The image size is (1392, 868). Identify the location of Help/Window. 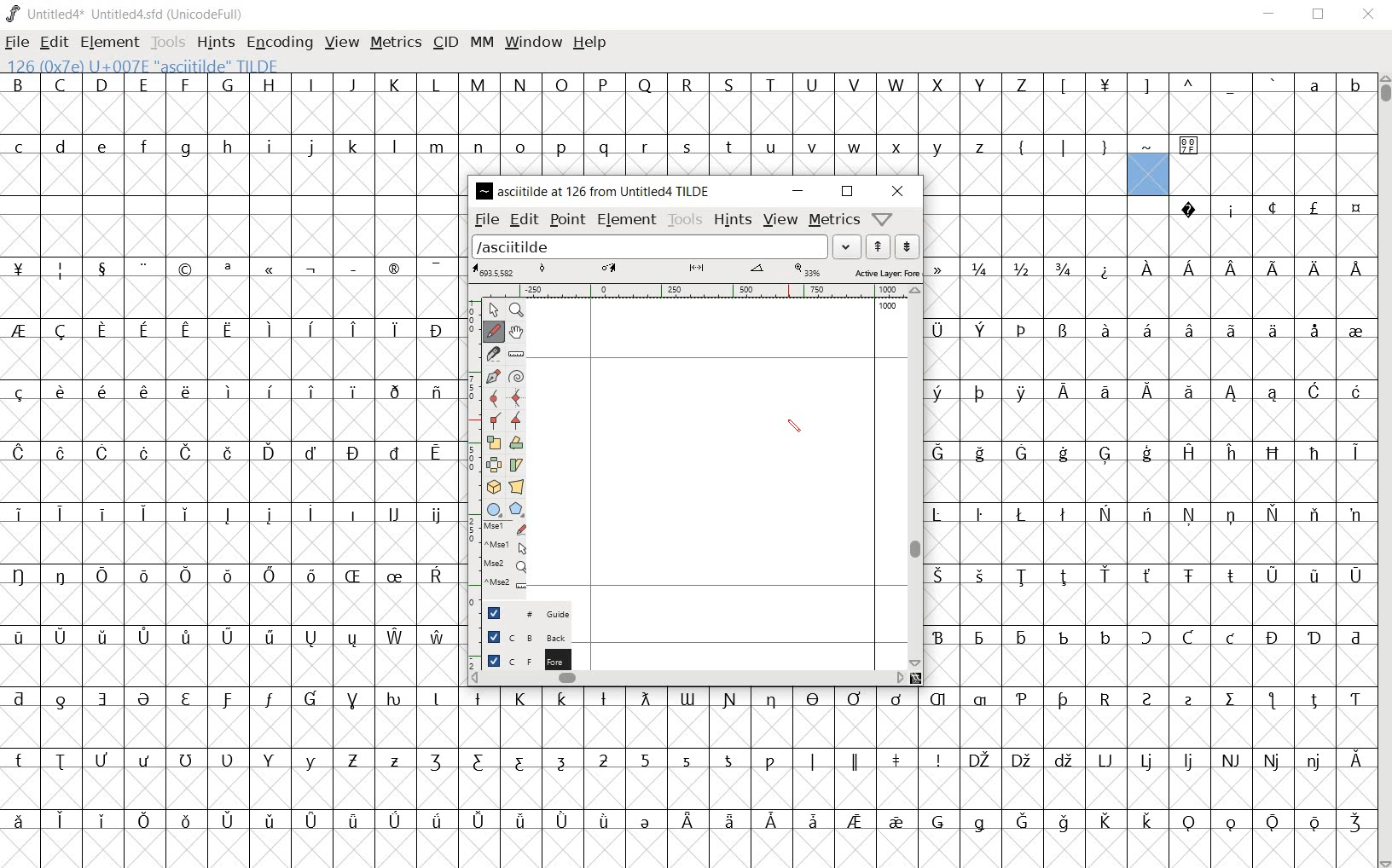
(884, 219).